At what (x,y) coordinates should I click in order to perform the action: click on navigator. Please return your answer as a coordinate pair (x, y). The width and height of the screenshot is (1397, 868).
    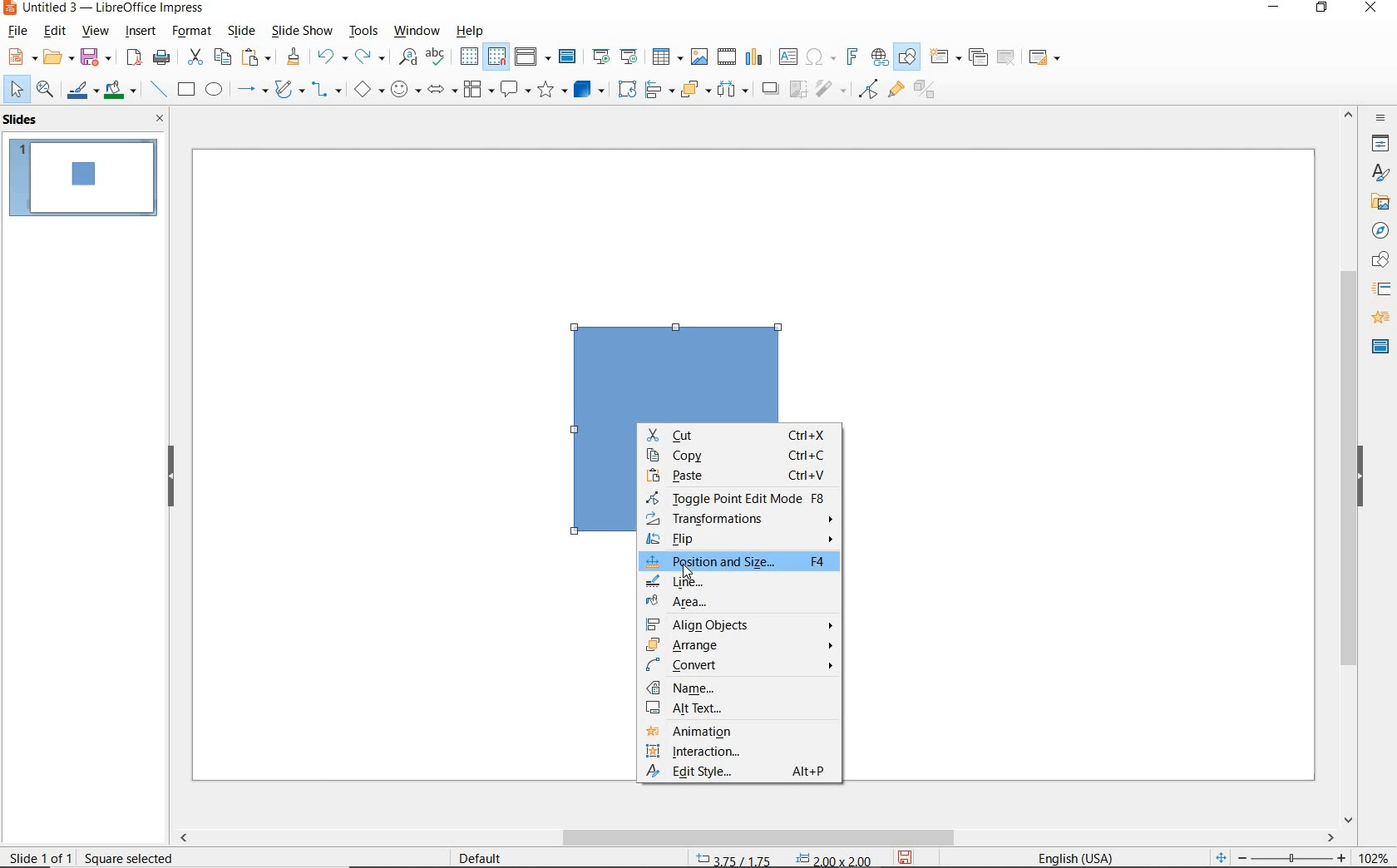
    Looking at the image, I should click on (1380, 229).